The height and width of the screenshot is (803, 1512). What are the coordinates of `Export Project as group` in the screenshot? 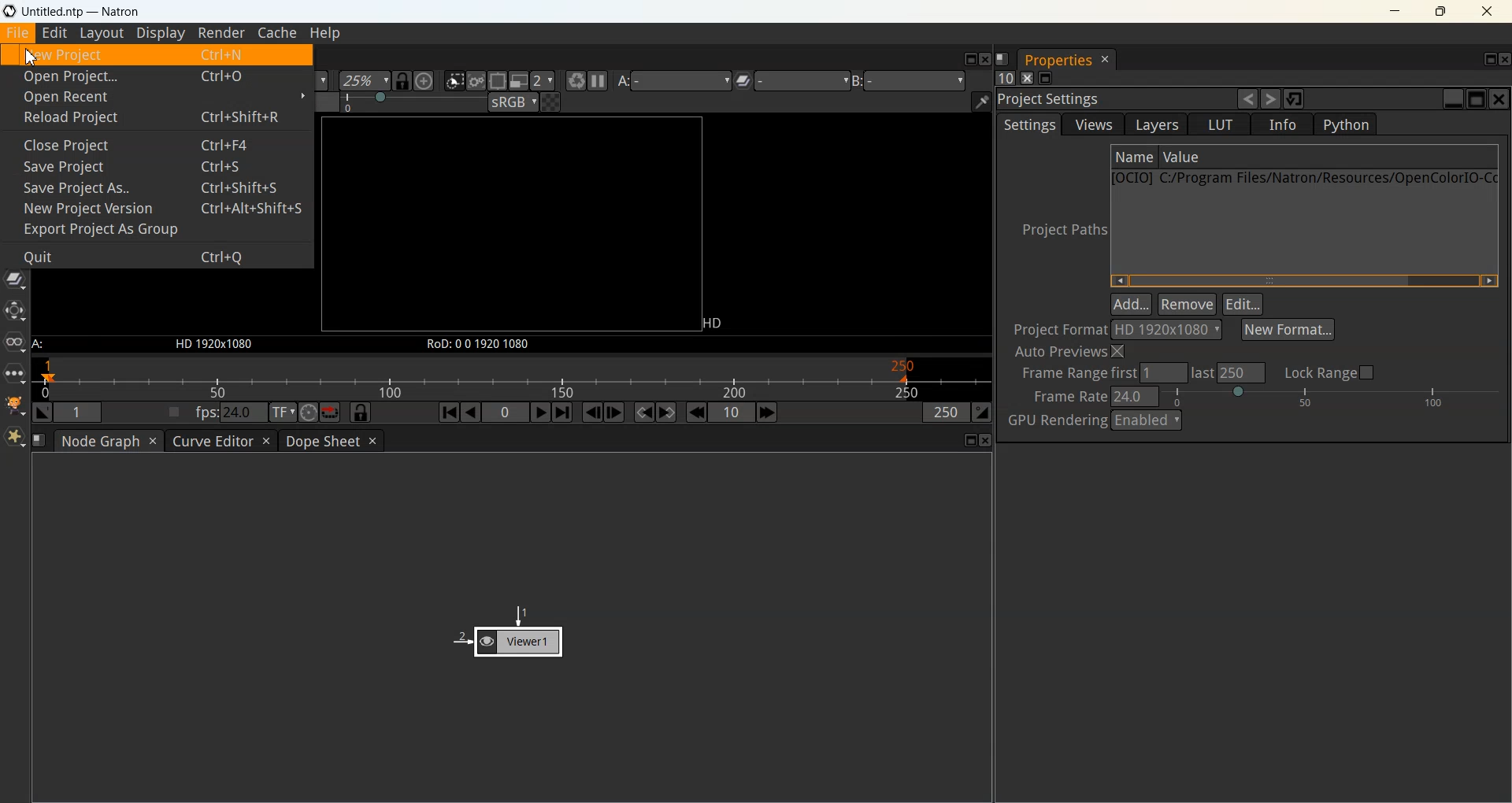 It's located at (156, 230).